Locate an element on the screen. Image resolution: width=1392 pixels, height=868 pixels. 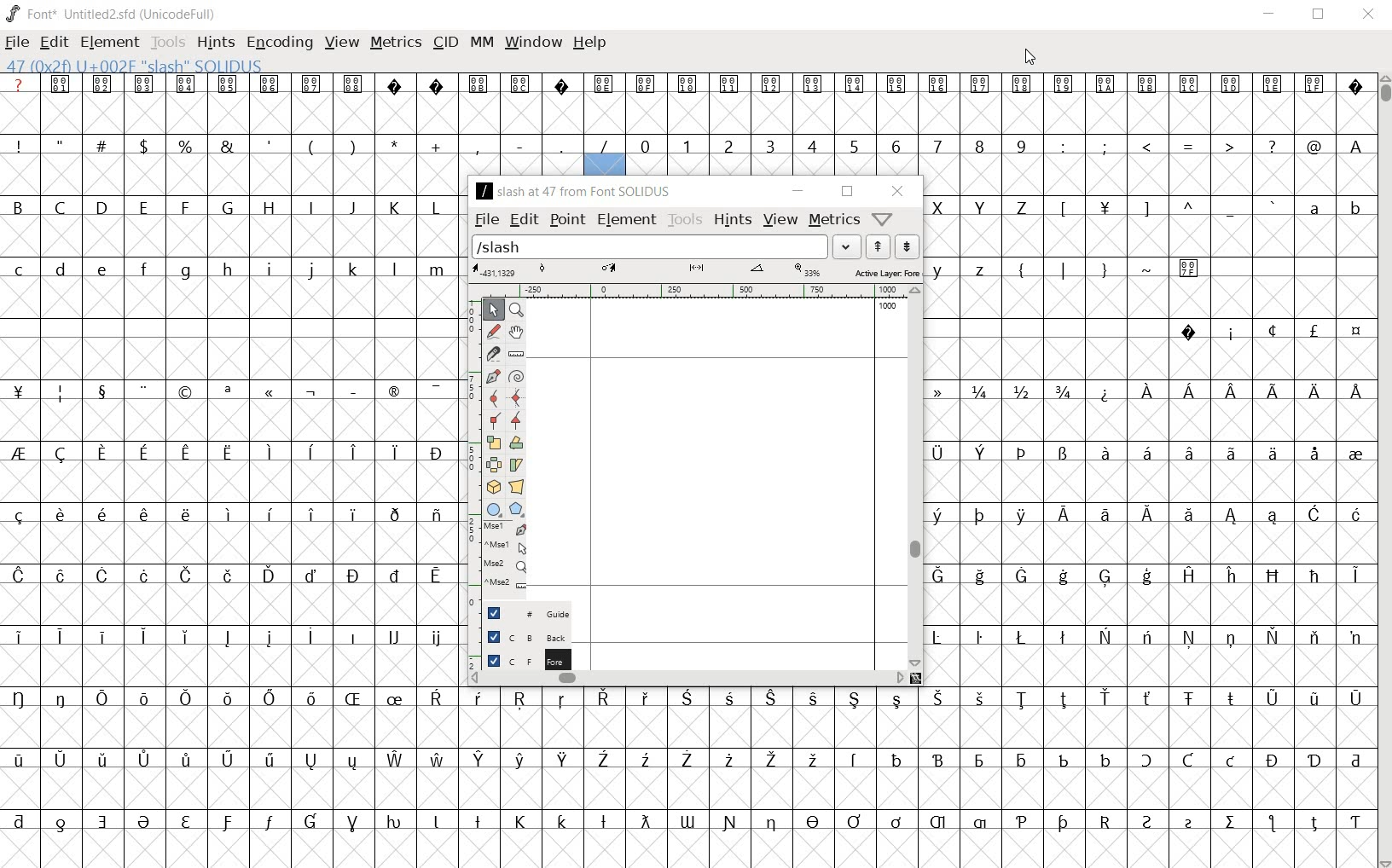
add a point, then drag out its control points is located at coordinates (495, 376).